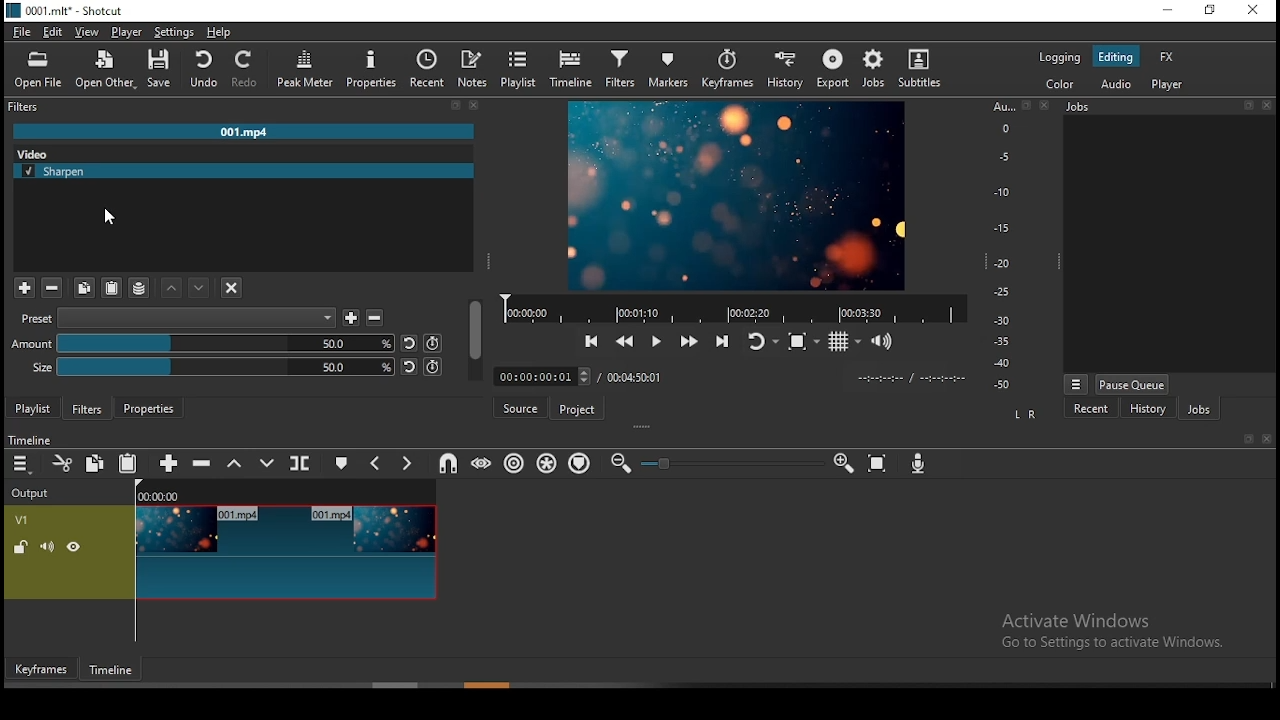  What do you see at coordinates (127, 464) in the screenshot?
I see `paste` at bounding box center [127, 464].